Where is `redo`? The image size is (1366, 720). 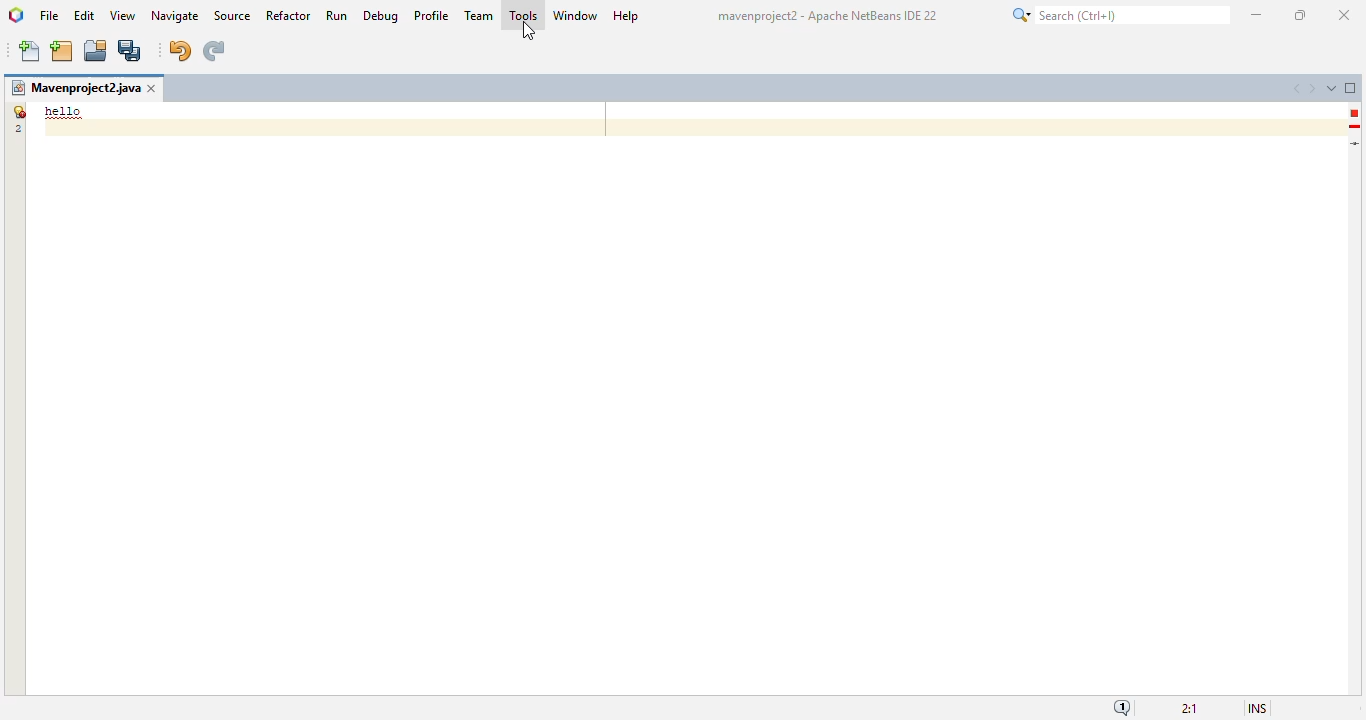
redo is located at coordinates (213, 51).